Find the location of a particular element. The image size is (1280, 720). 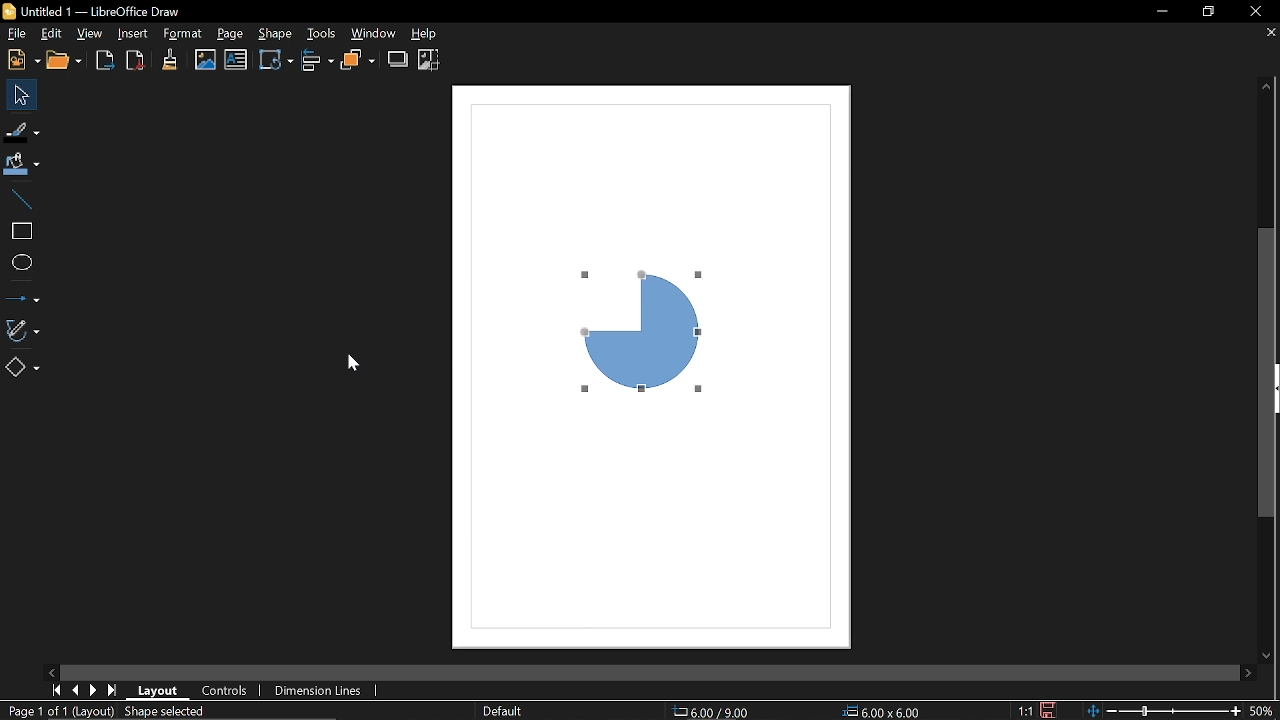

Shape selected is located at coordinates (166, 712).